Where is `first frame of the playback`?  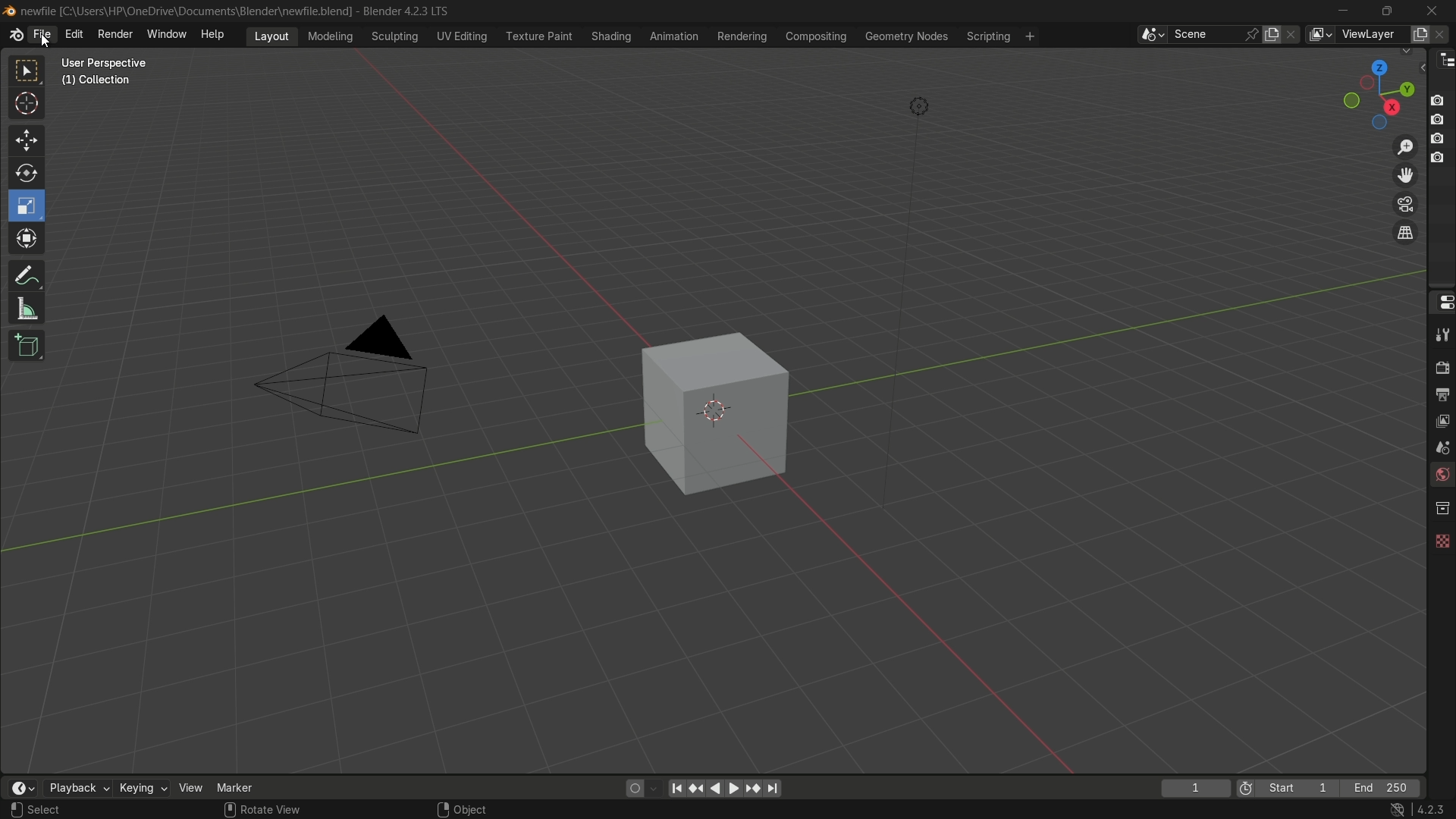 first frame of the playback is located at coordinates (1288, 788).